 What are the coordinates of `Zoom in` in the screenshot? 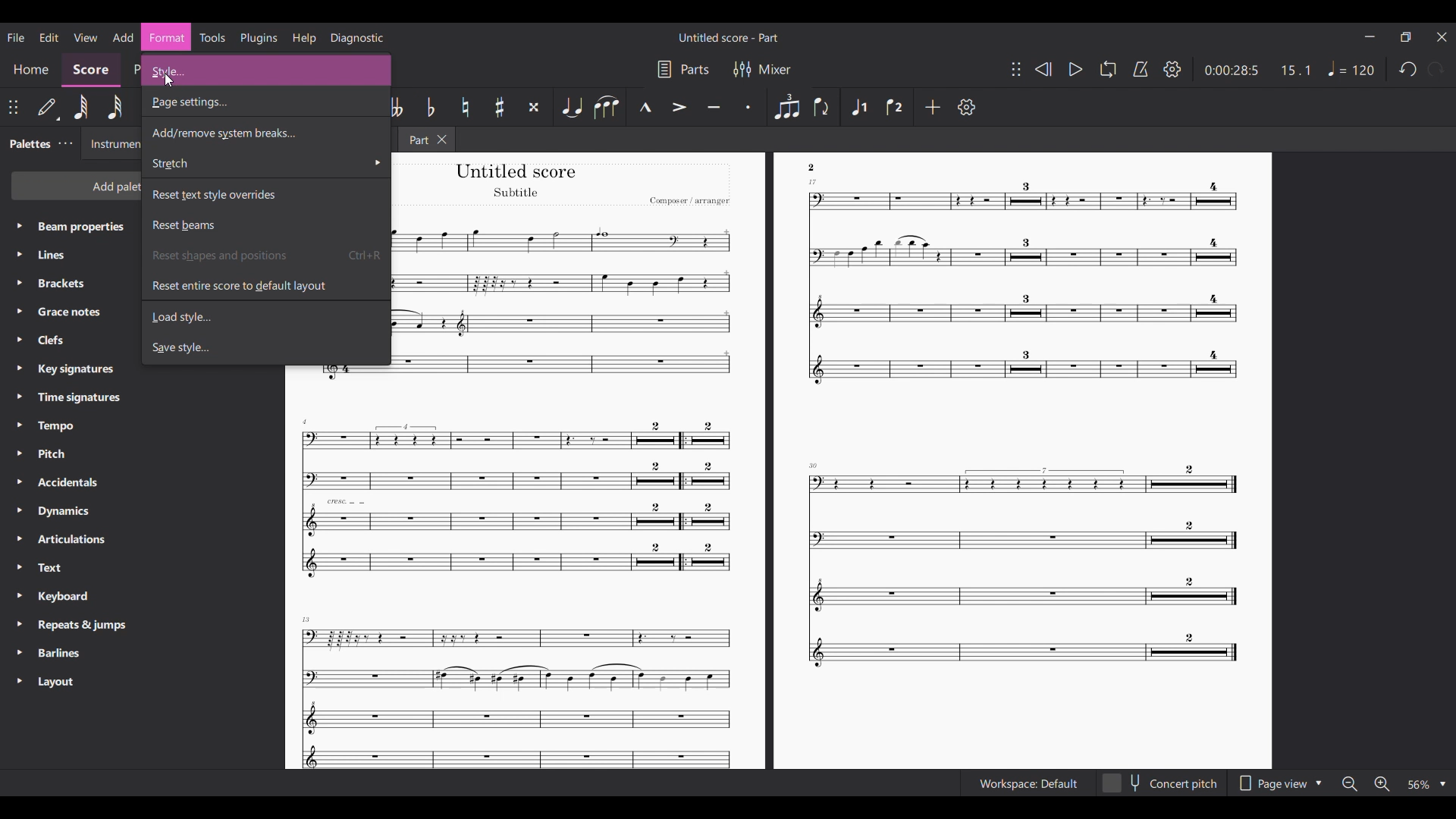 It's located at (1382, 784).